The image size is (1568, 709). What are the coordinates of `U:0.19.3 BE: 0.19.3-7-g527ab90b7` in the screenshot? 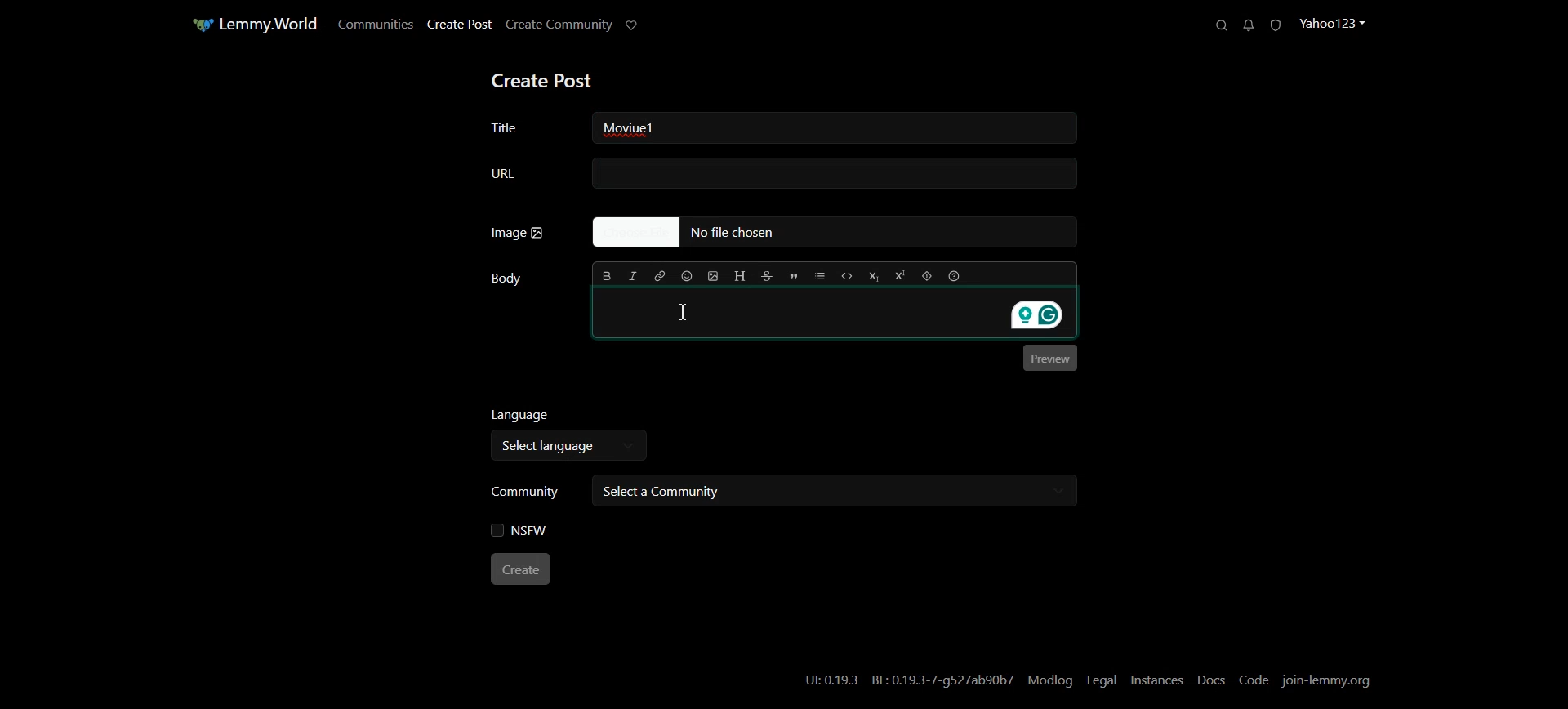 It's located at (904, 679).